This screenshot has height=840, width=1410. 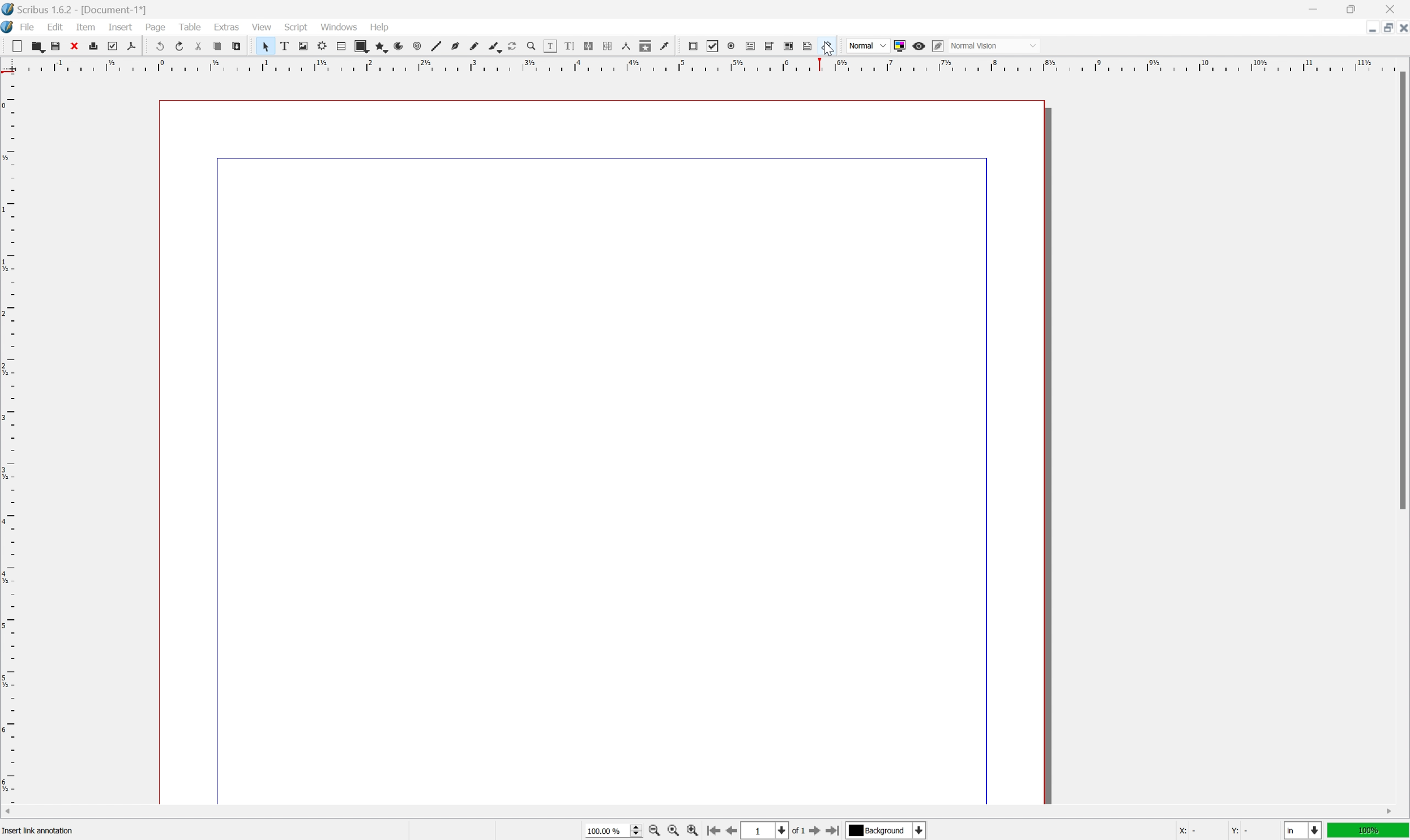 What do you see at coordinates (731, 46) in the screenshot?
I see `pdf radio button` at bounding box center [731, 46].